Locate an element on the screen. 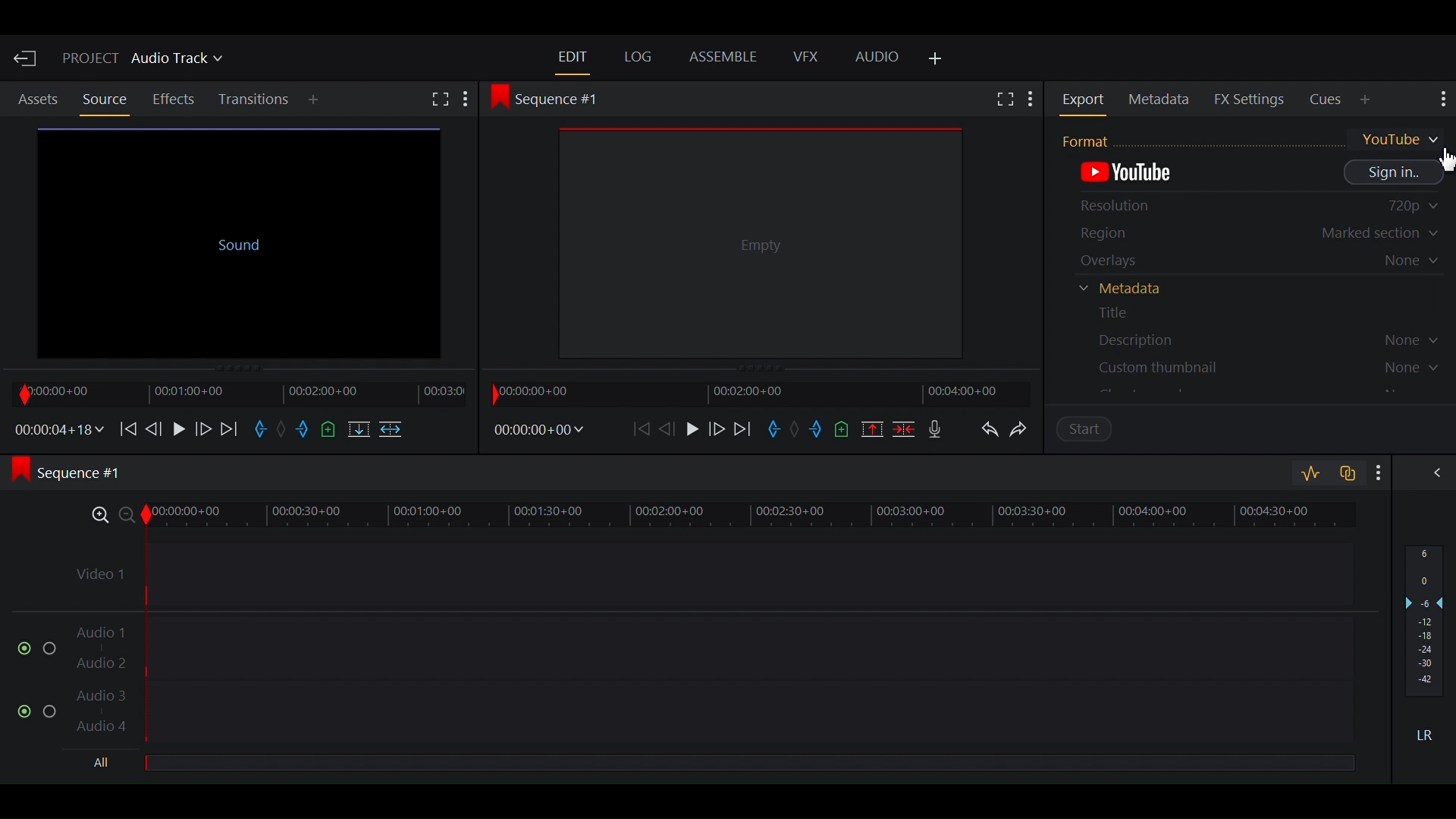  Remove all marked sections is located at coordinates (874, 428).